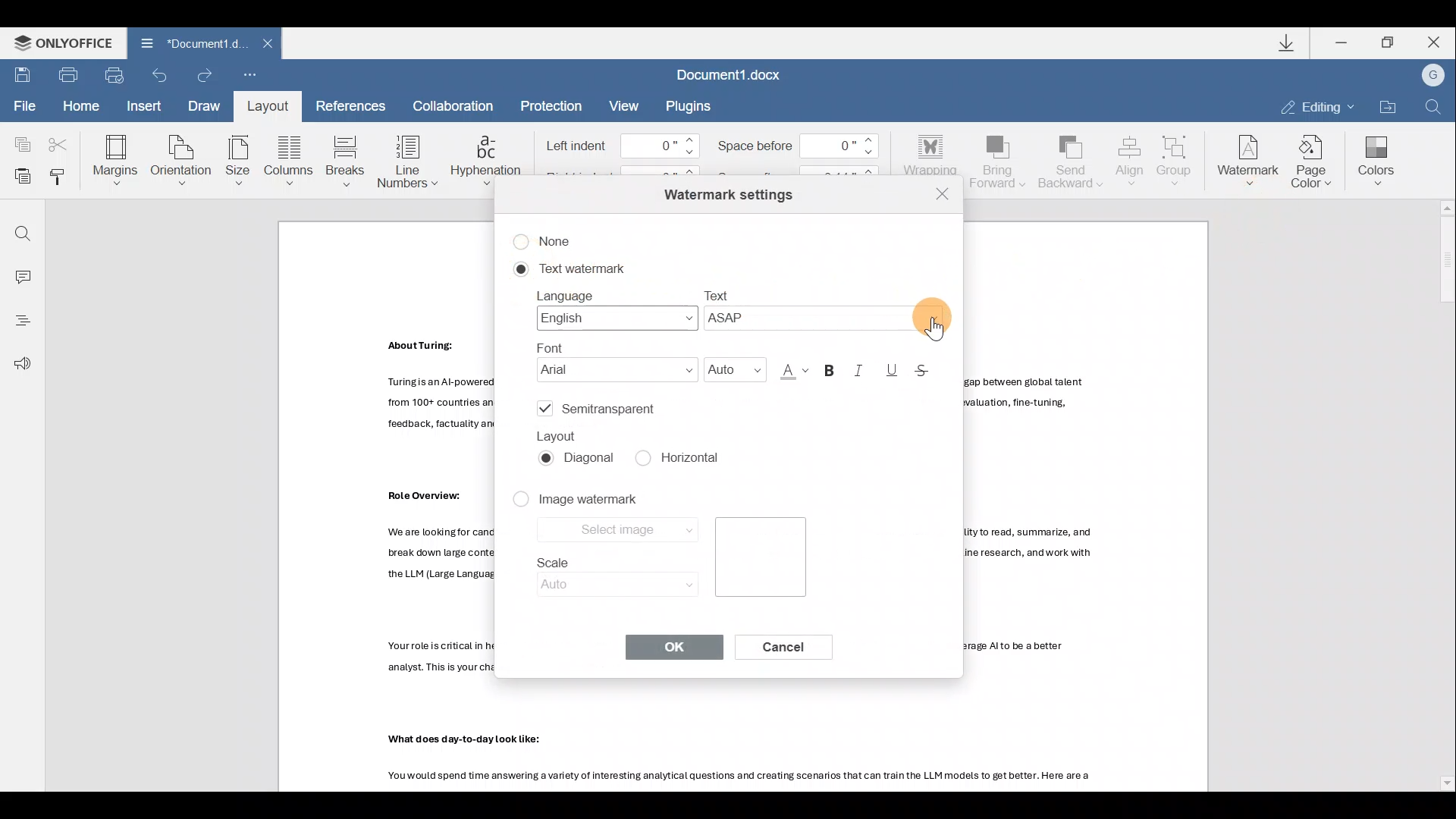 The width and height of the screenshot is (1456, 819). Describe the element at coordinates (162, 75) in the screenshot. I see `Undo` at that location.